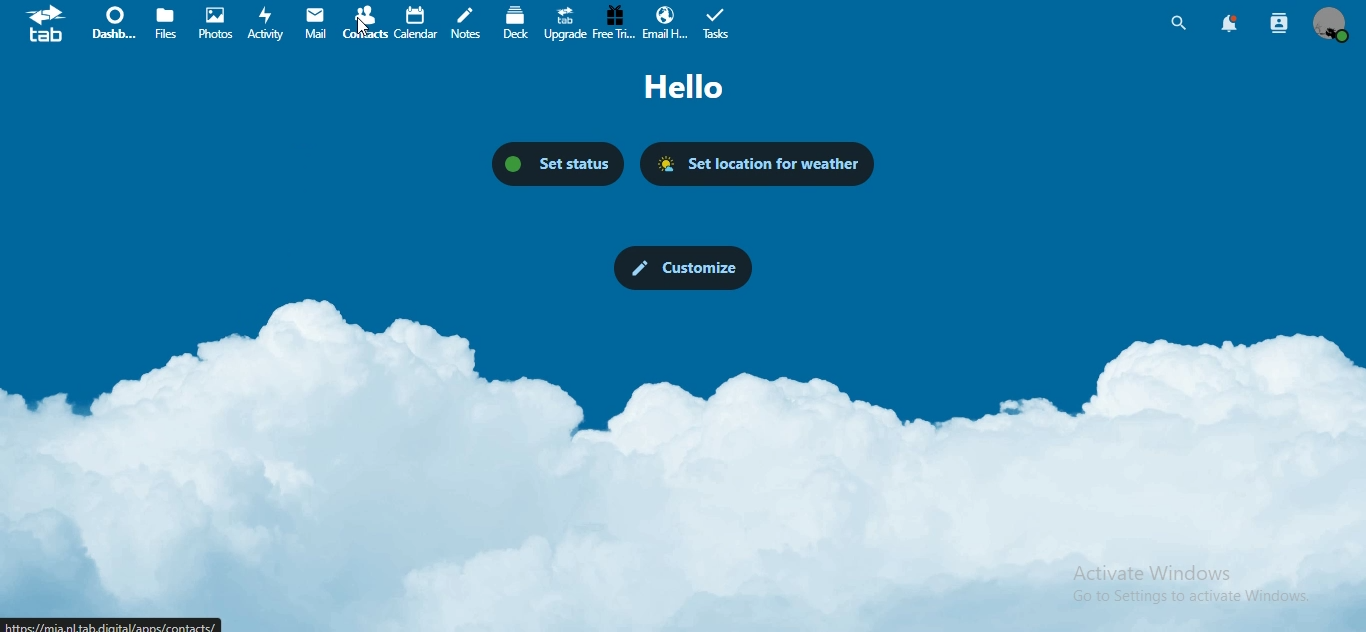 Image resolution: width=1366 pixels, height=632 pixels. I want to click on calendar, so click(417, 23).